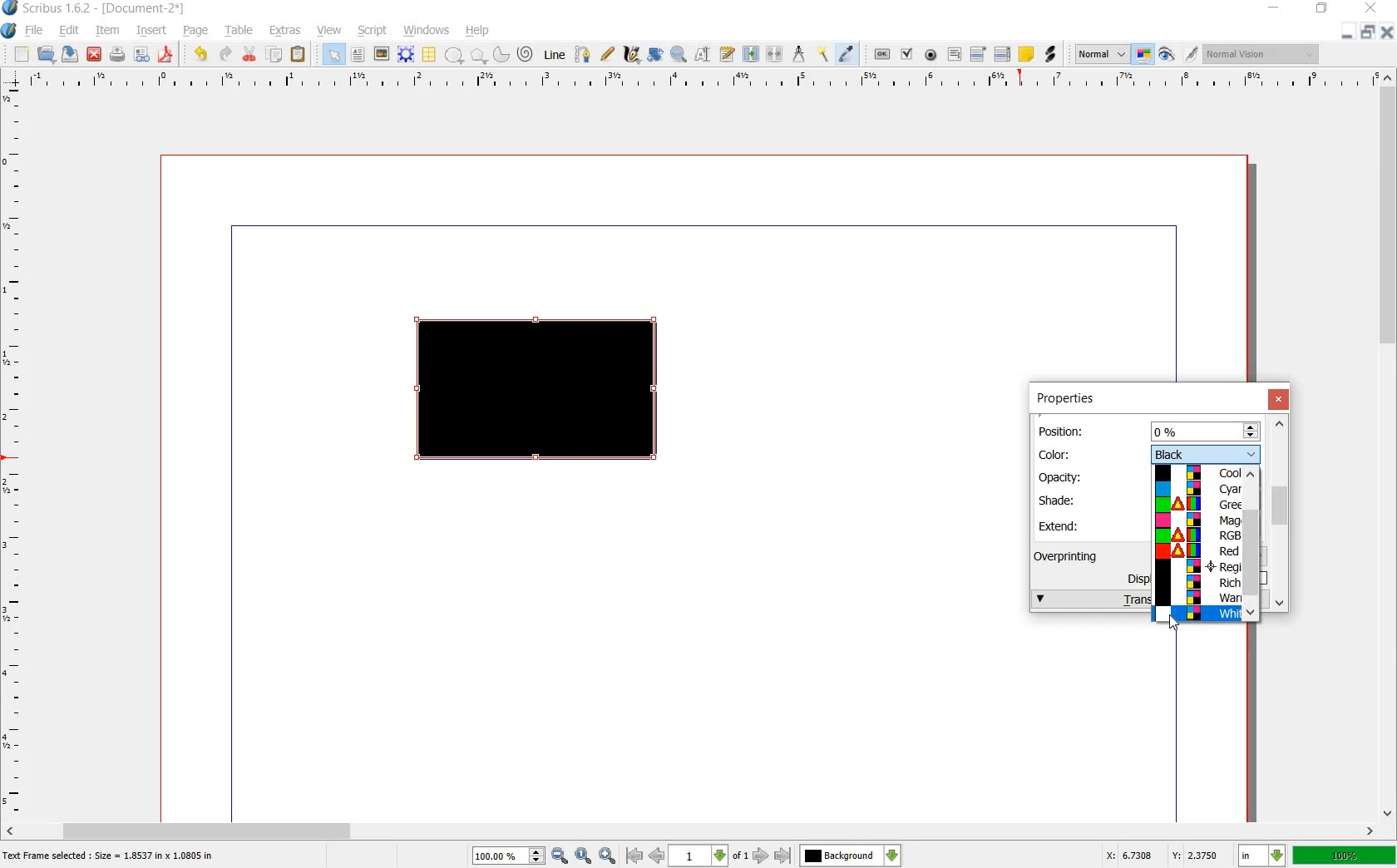  What do you see at coordinates (152, 32) in the screenshot?
I see `insert` at bounding box center [152, 32].